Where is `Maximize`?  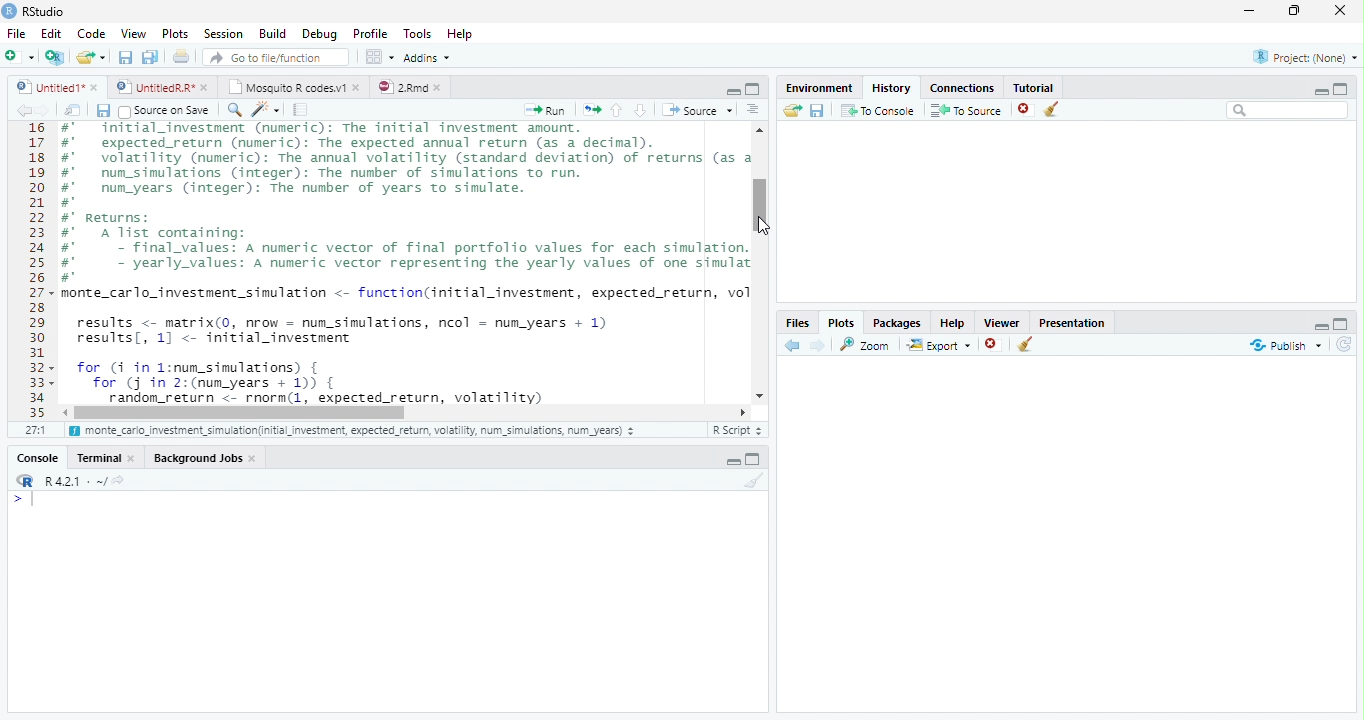
Maximize is located at coordinates (1299, 12).